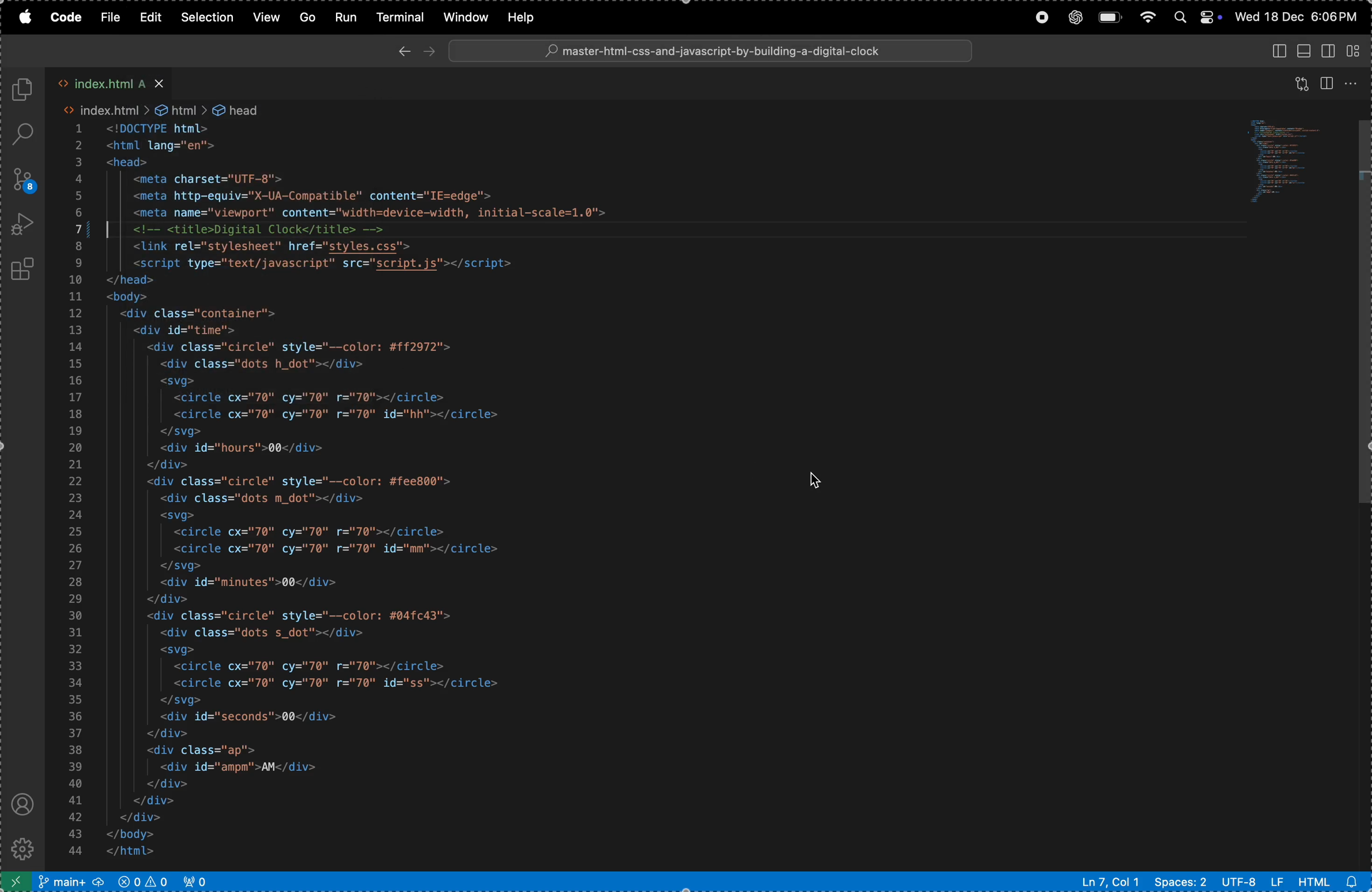 The width and height of the screenshot is (1372, 892). Describe the element at coordinates (1279, 52) in the screenshot. I see `right grid view` at that location.